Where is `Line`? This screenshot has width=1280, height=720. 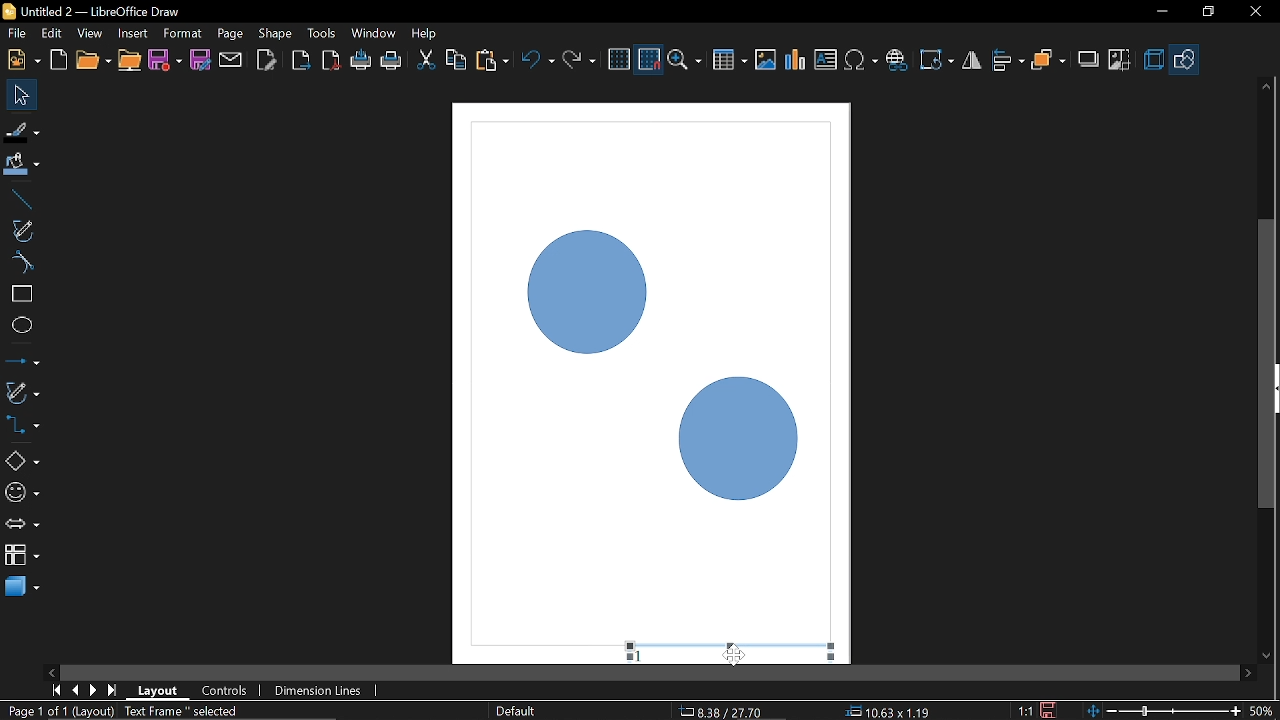 Line is located at coordinates (19, 200).